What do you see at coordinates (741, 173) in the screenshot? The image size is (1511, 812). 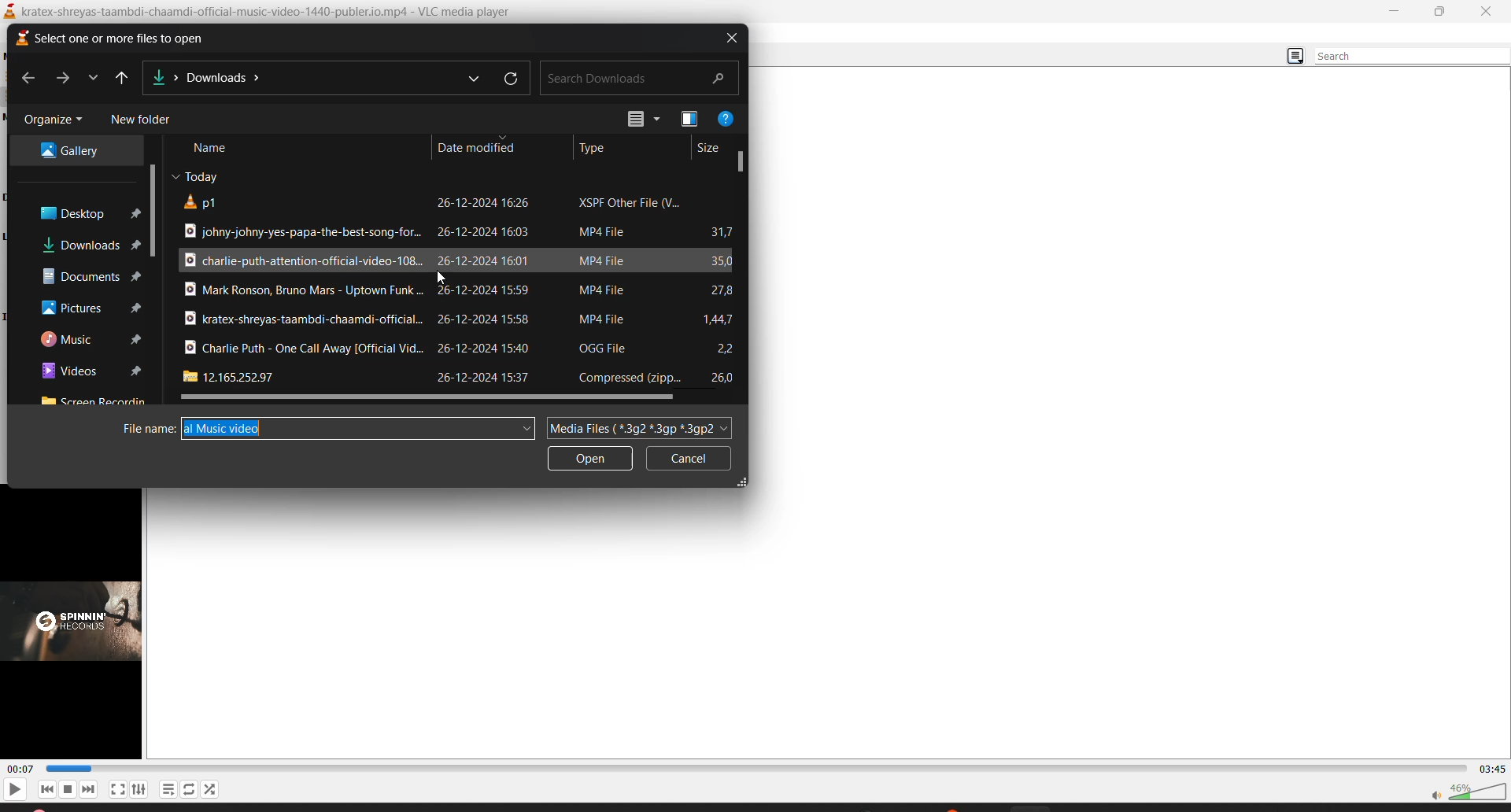 I see `vertical scroll bar` at bounding box center [741, 173].